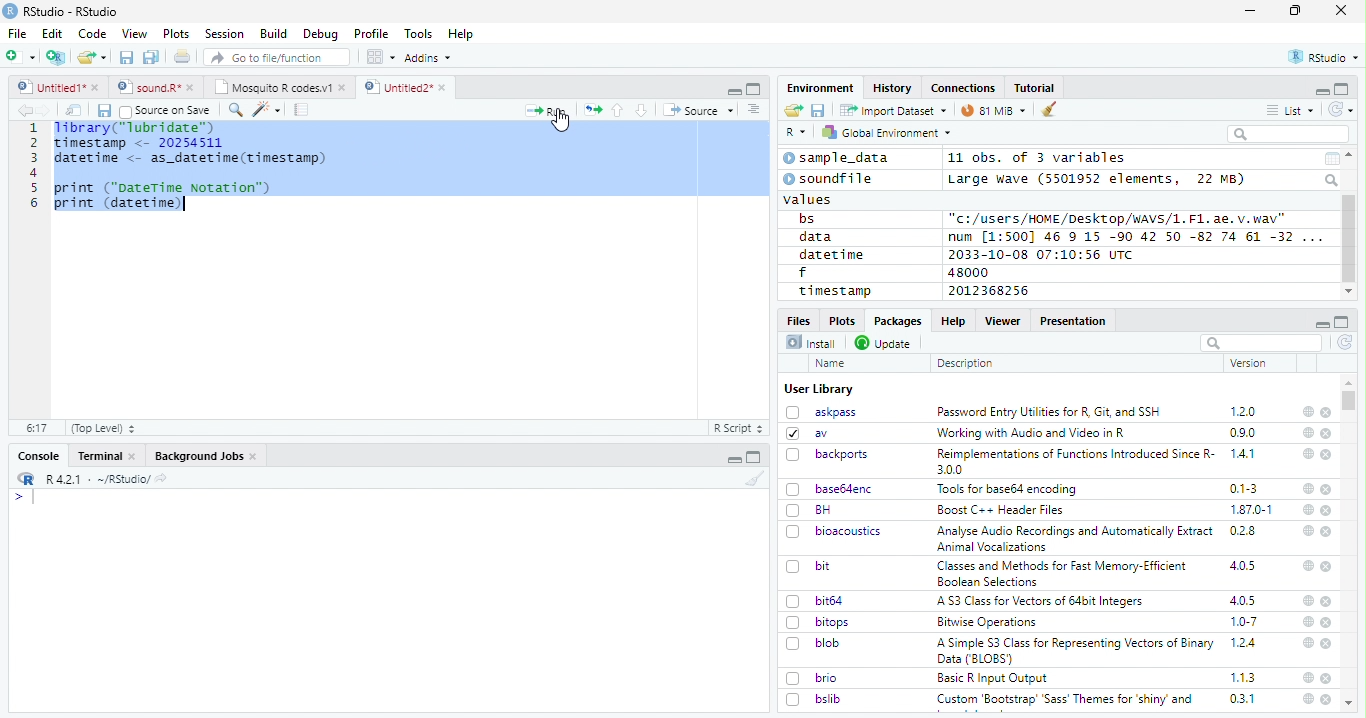 The height and width of the screenshot is (718, 1366). I want to click on help, so click(1307, 600).